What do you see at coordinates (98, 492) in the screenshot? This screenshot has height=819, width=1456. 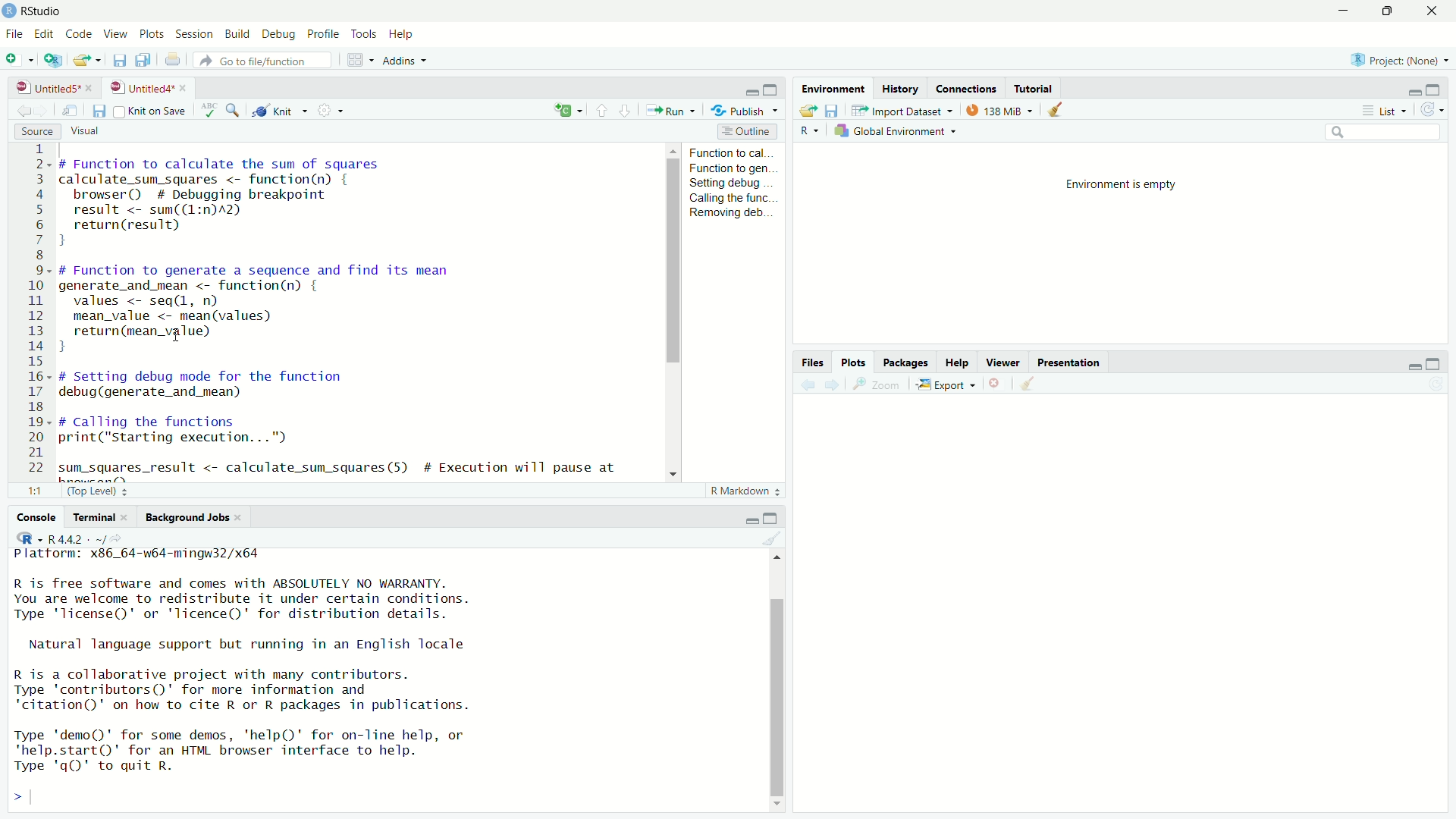 I see `(Top Level)` at bounding box center [98, 492].